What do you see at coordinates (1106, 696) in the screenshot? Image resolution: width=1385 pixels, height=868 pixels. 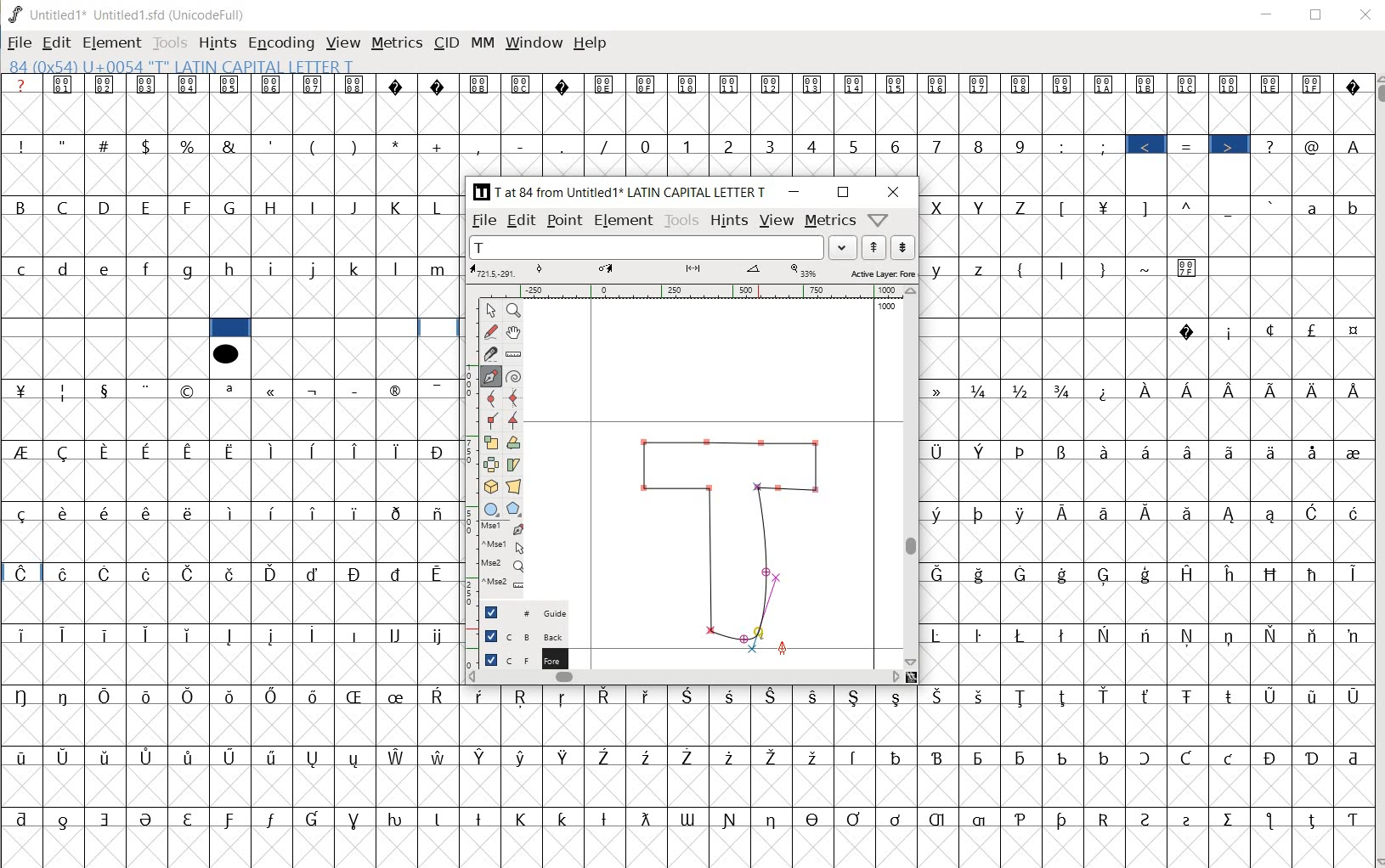 I see `Symbol` at bounding box center [1106, 696].